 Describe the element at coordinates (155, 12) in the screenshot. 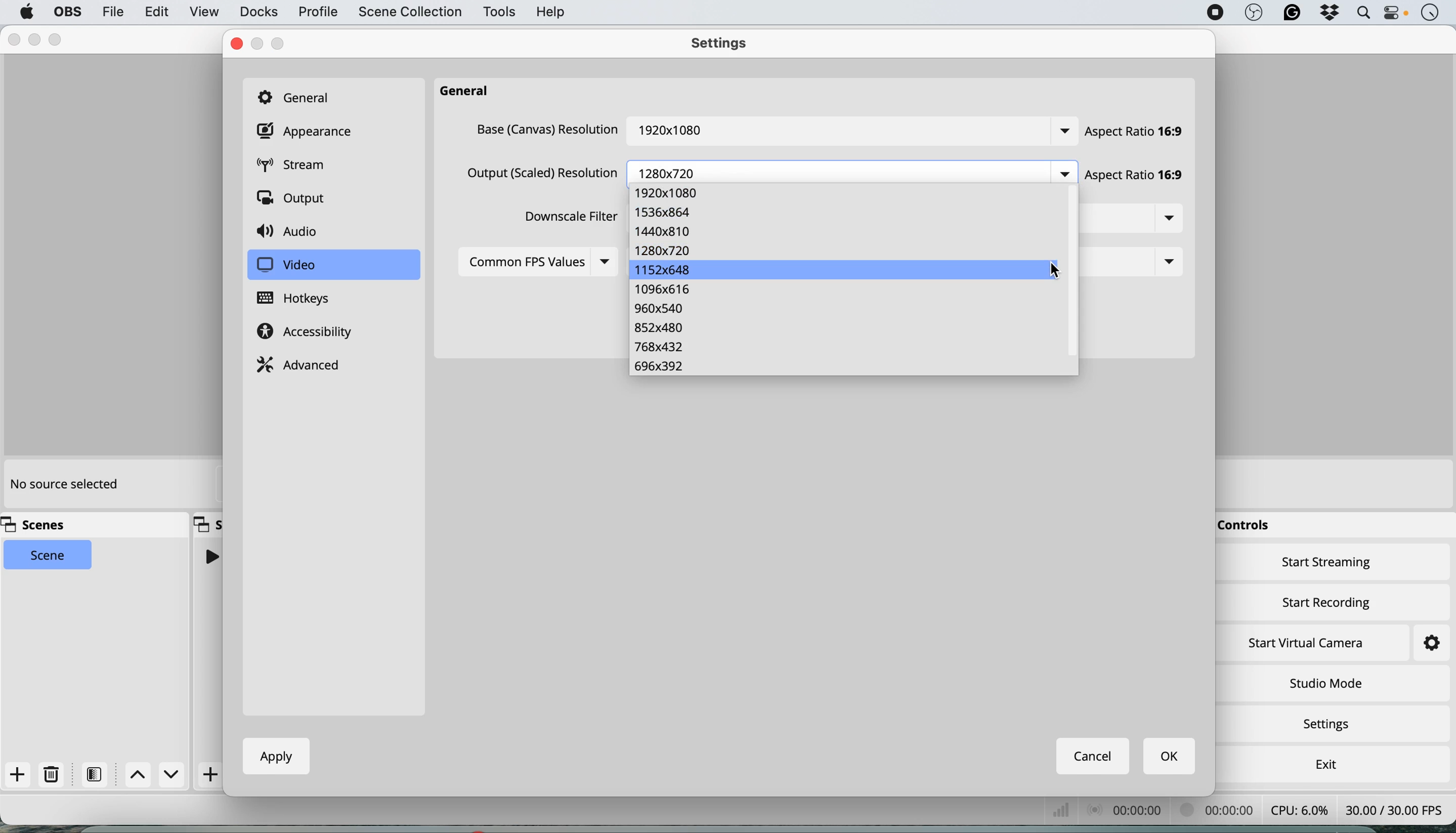

I see `edit` at that location.